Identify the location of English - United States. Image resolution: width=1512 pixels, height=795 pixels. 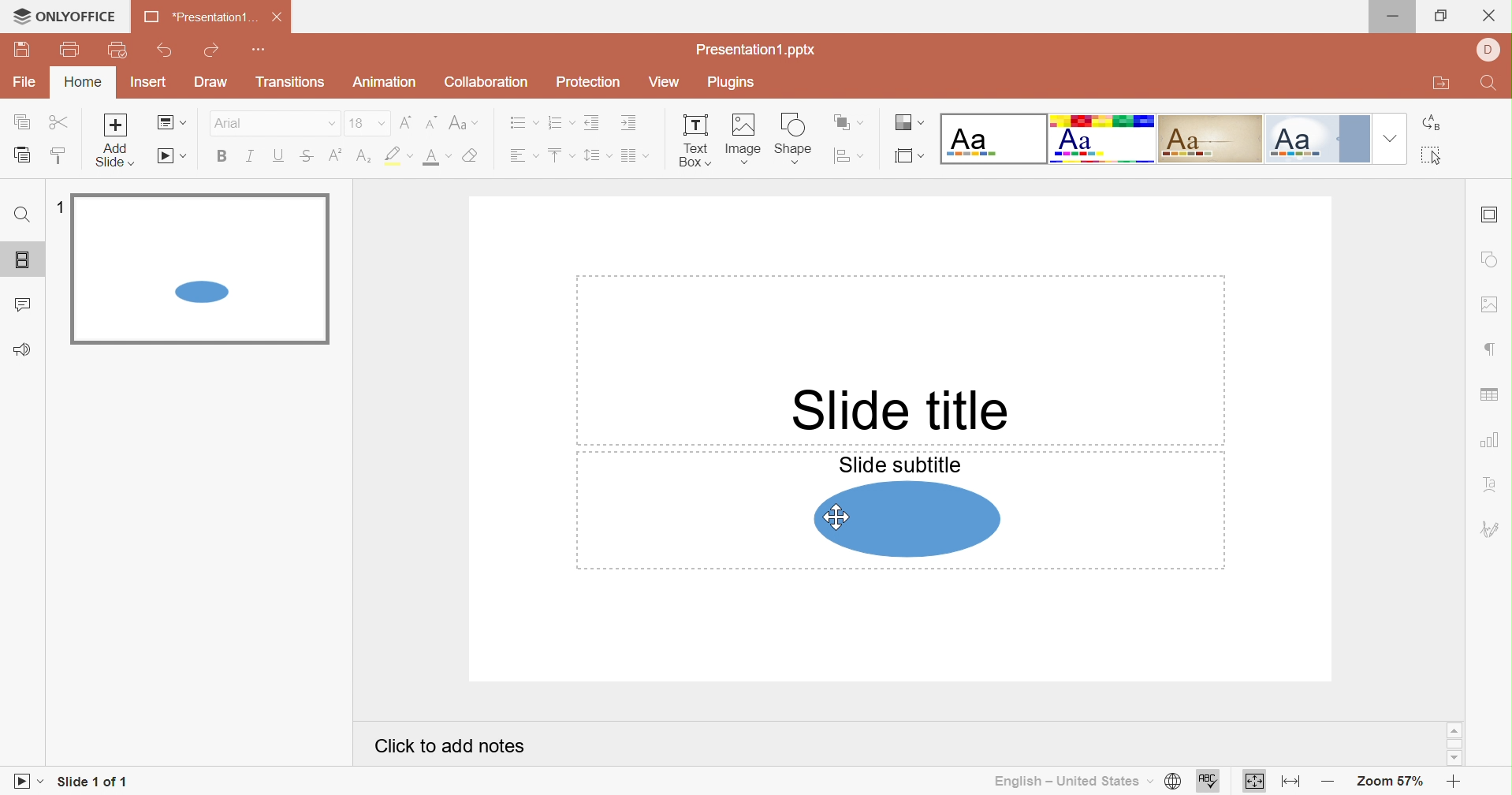
(1069, 781).